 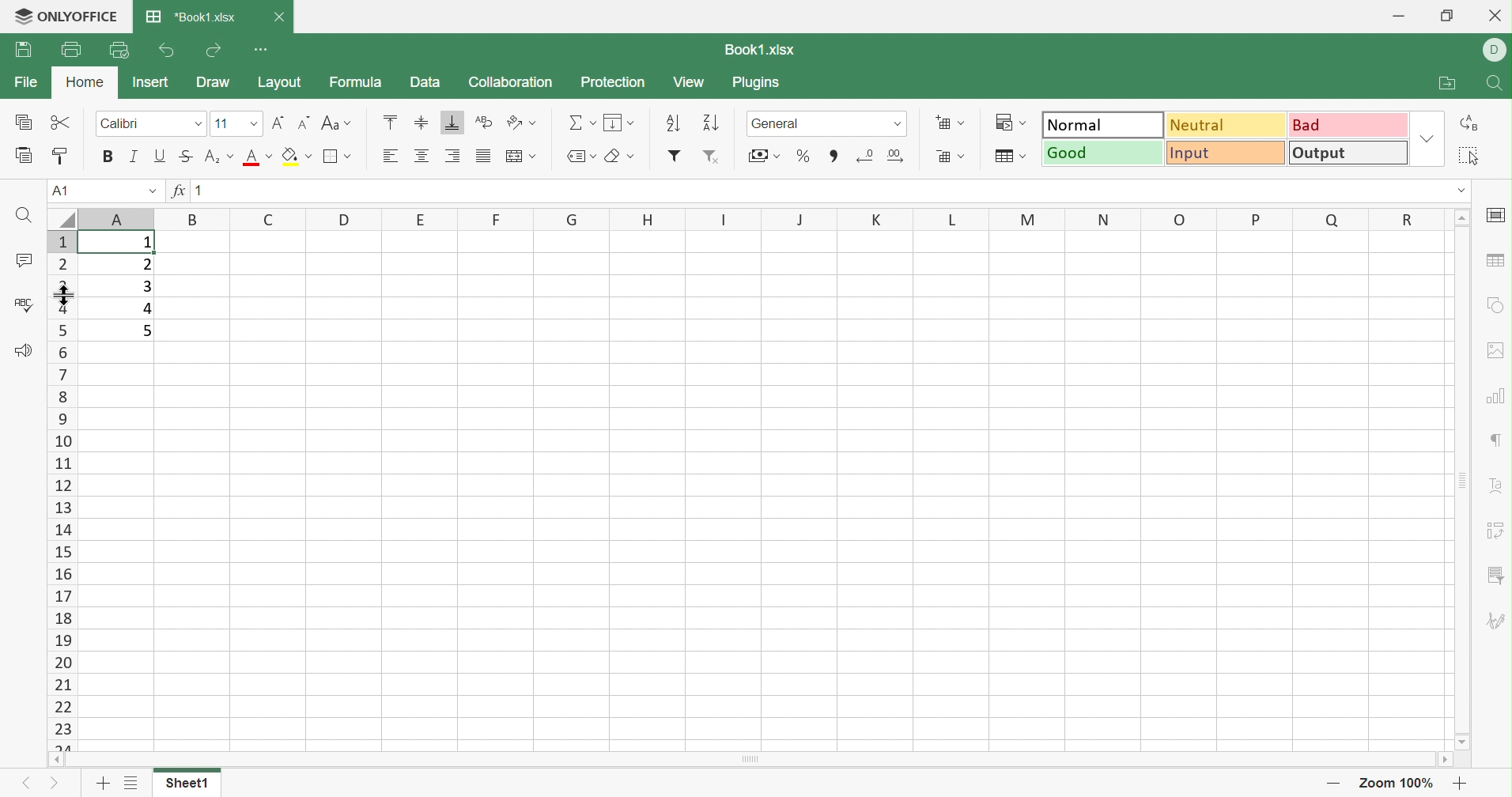 I want to click on Summation, so click(x=577, y=121).